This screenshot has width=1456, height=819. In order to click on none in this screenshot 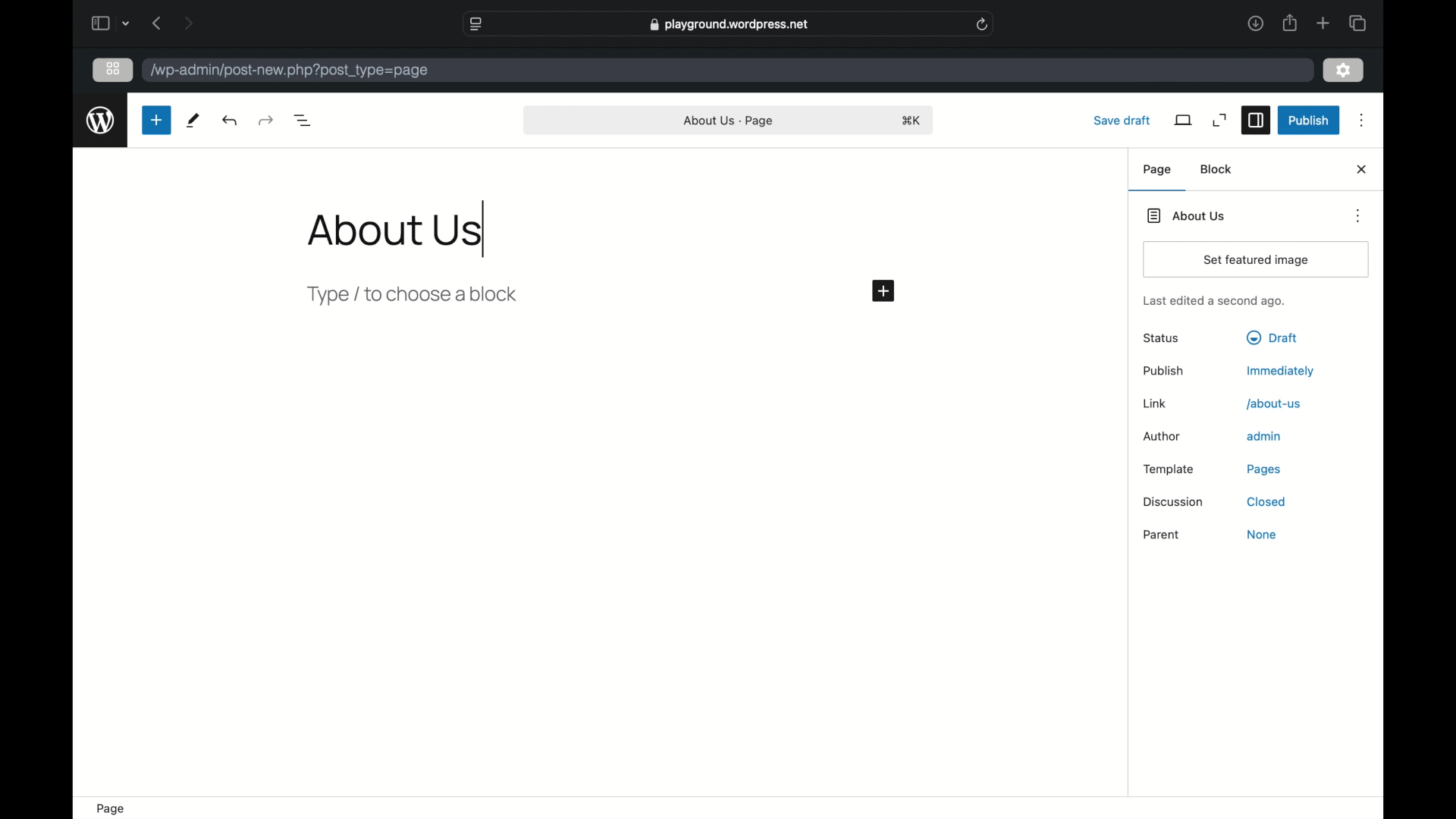, I will do `click(1261, 535)`.